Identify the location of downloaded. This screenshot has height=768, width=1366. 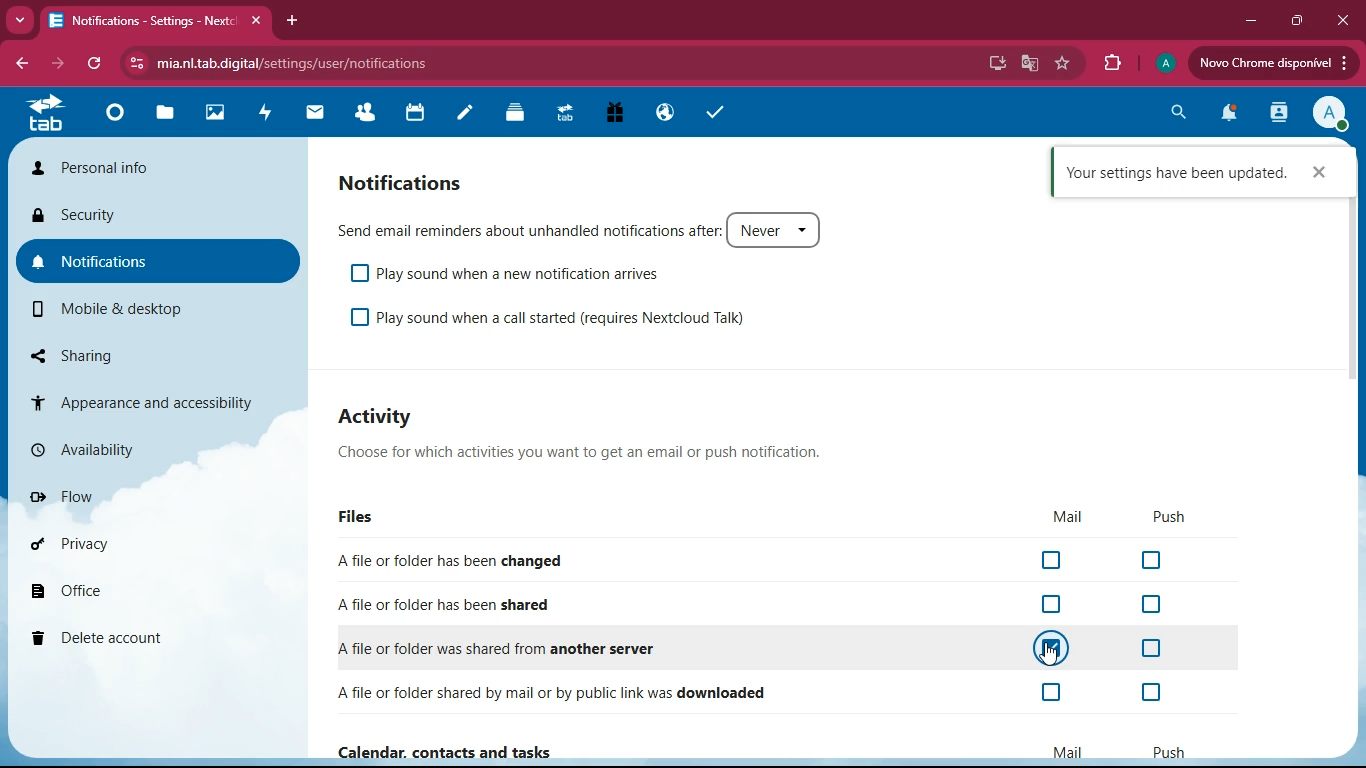
(568, 692).